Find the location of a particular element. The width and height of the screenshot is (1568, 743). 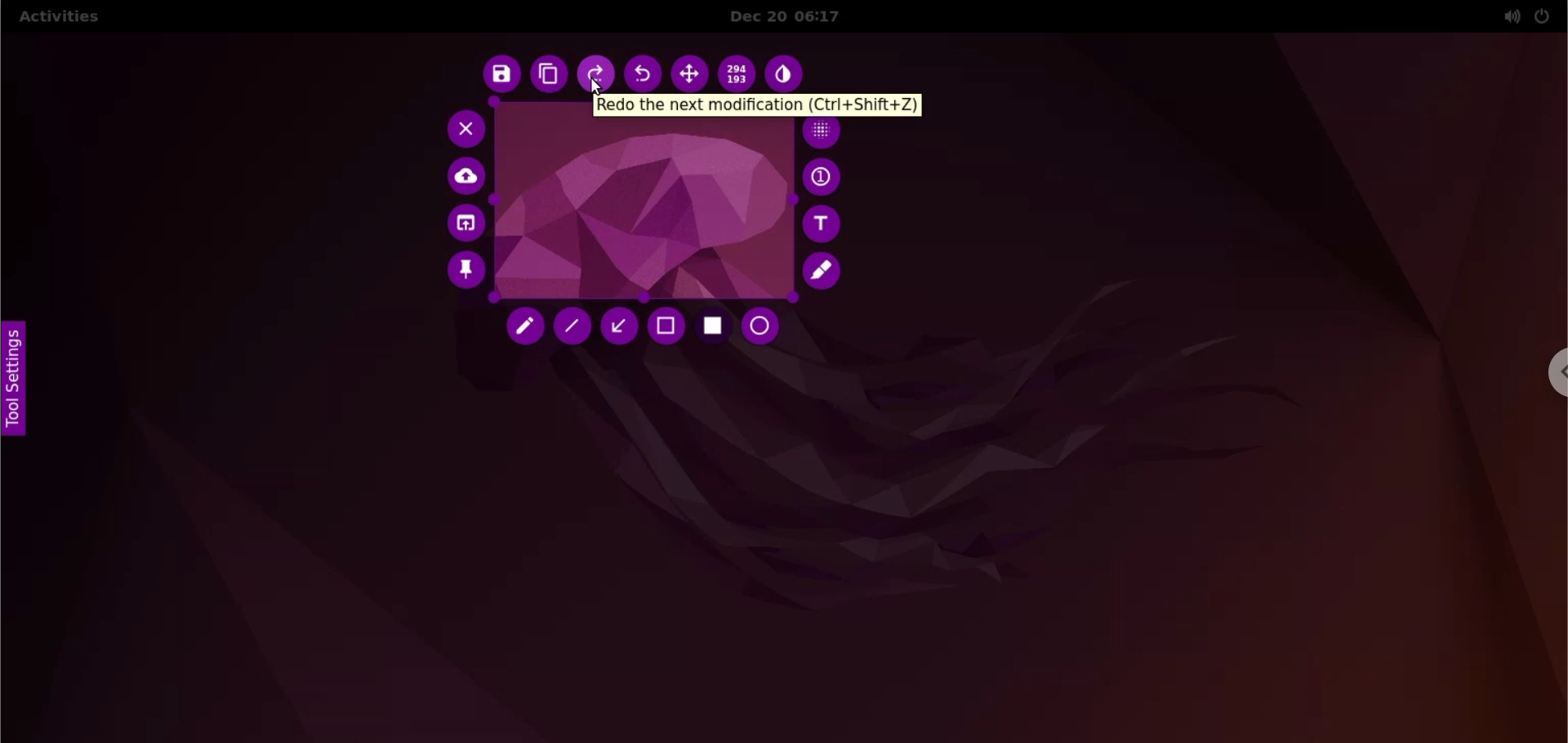

arrow tool is located at coordinates (618, 326).